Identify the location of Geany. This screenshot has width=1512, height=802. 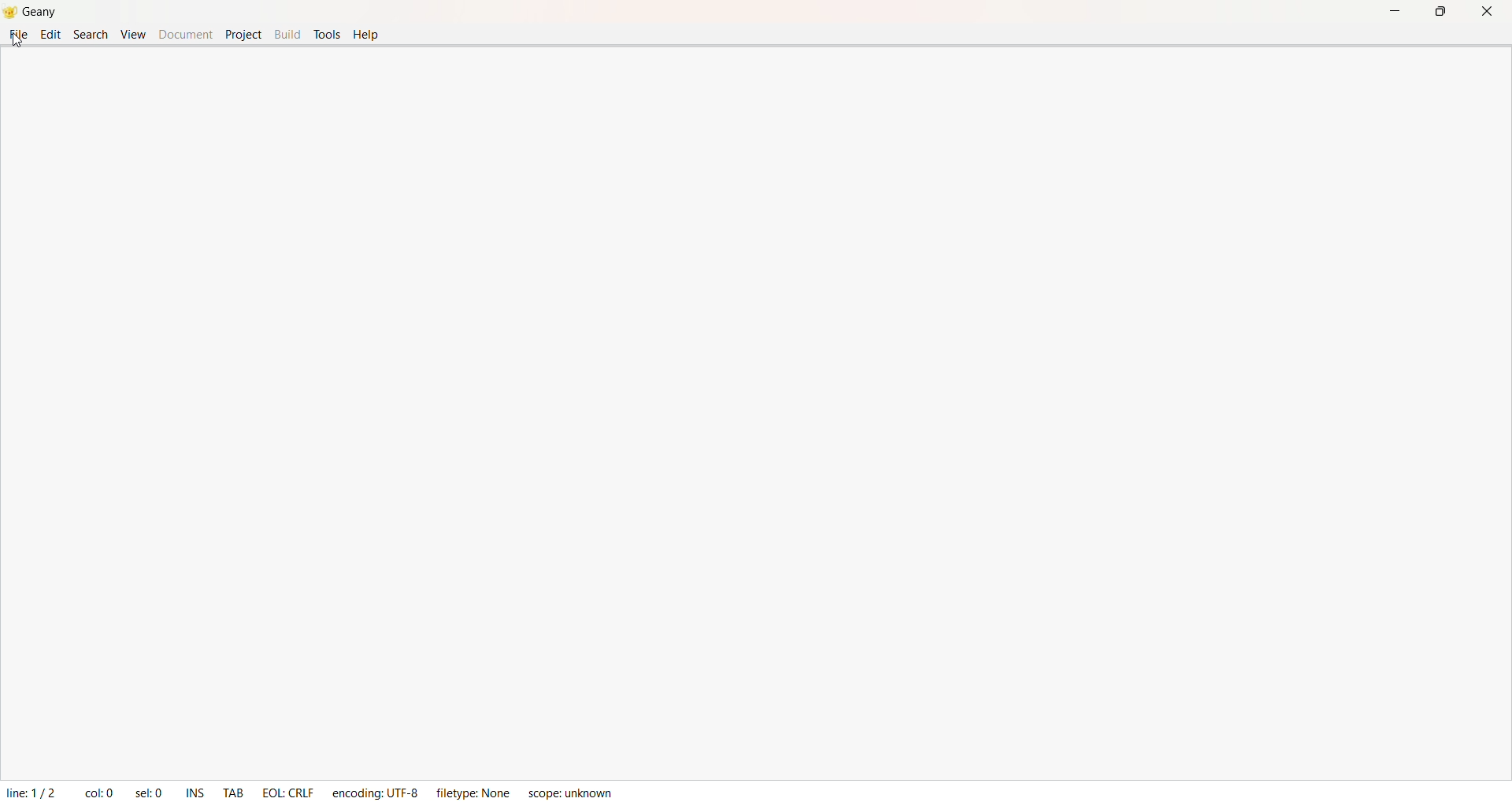
(44, 13).